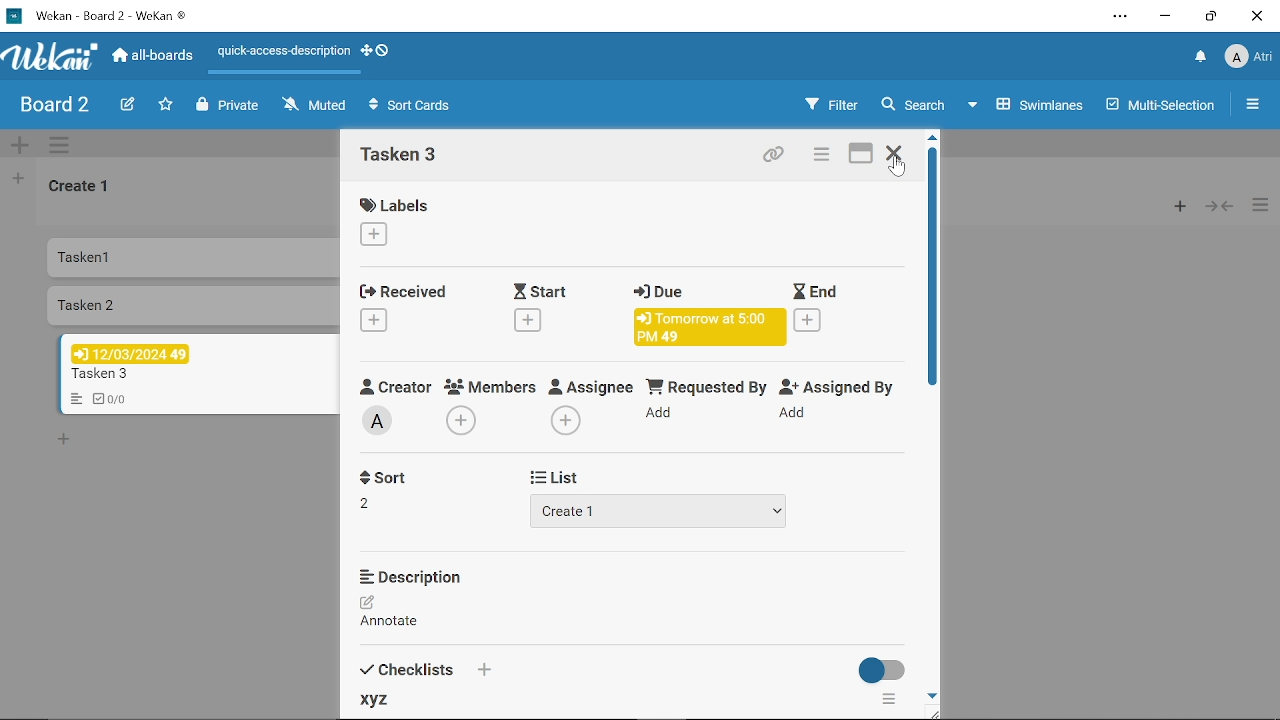 The width and height of the screenshot is (1280, 720). What do you see at coordinates (1155, 105) in the screenshot?
I see `Multi-selections` at bounding box center [1155, 105].